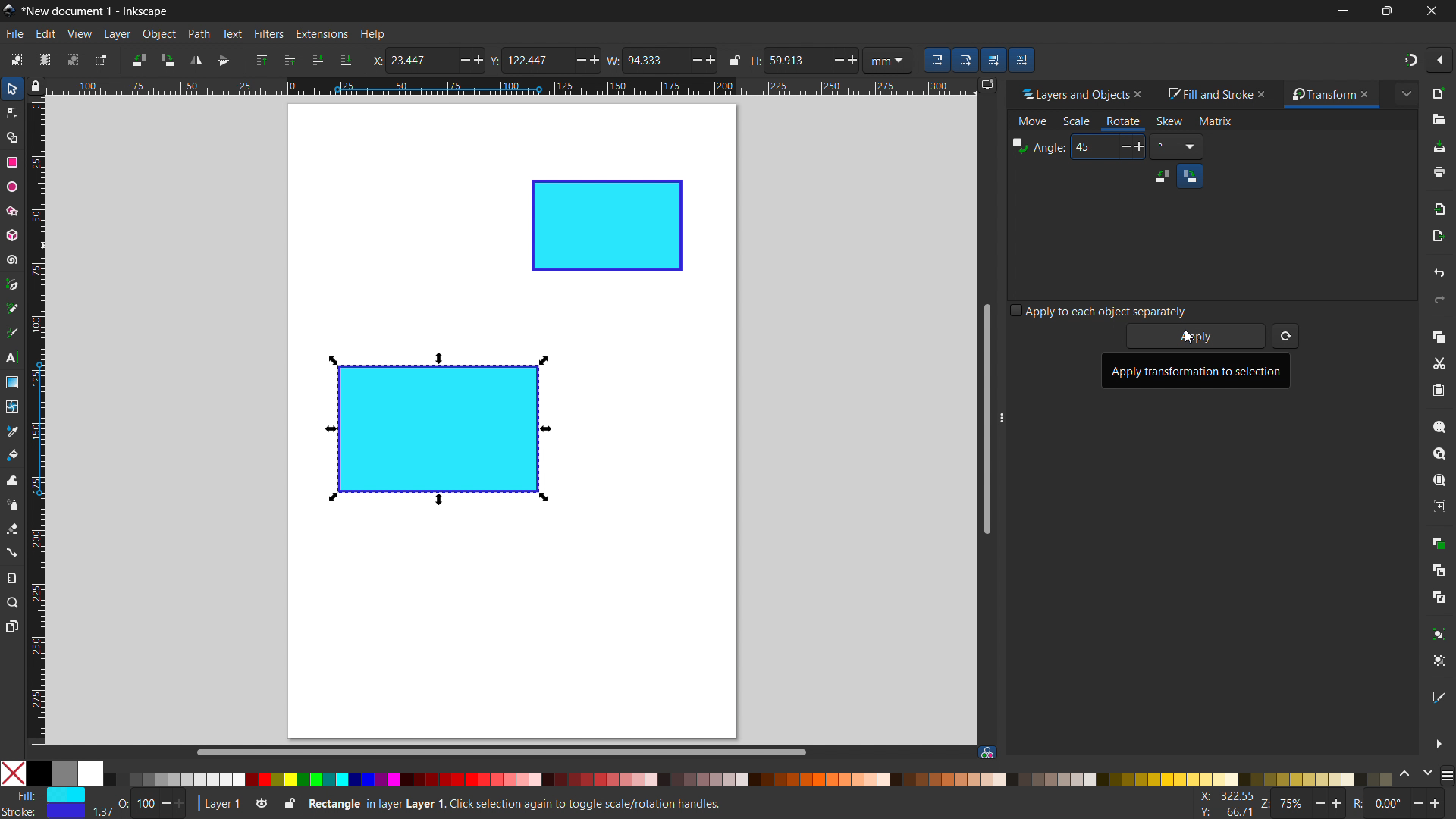  I want to click on zoom center page, so click(1439, 507).